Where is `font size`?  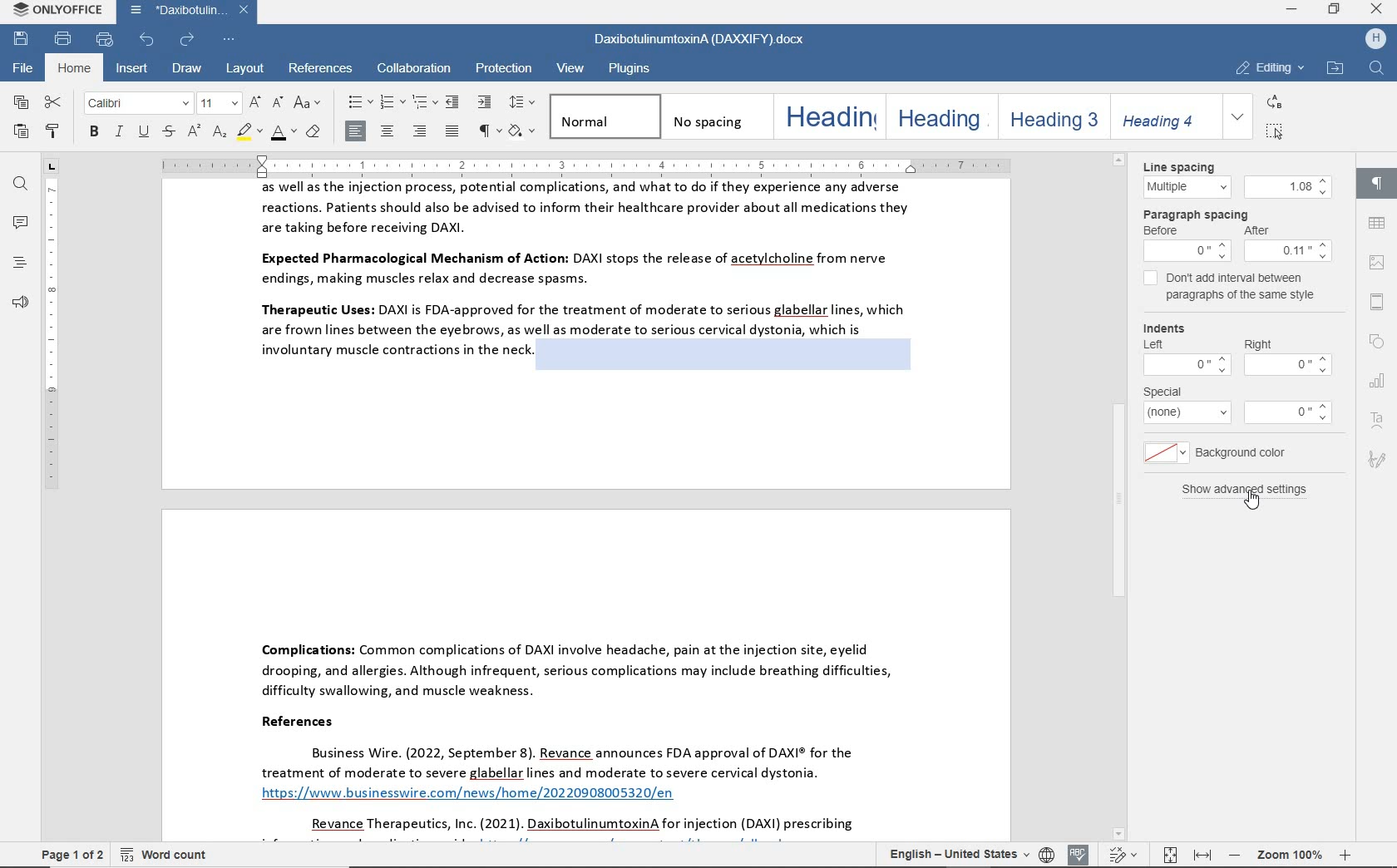
font size is located at coordinates (217, 104).